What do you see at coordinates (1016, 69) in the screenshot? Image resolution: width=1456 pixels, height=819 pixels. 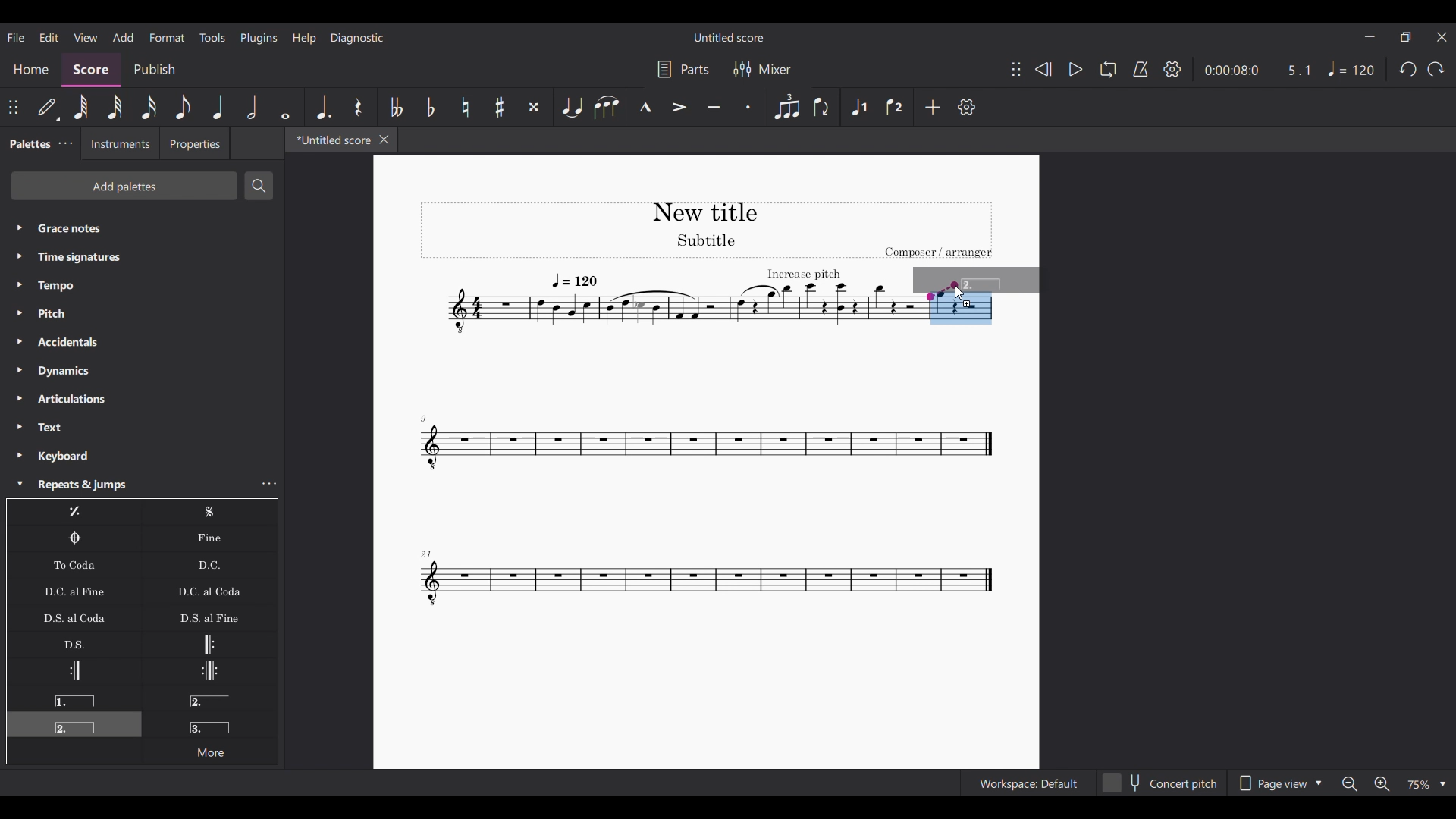 I see `Change position` at bounding box center [1016, 69].